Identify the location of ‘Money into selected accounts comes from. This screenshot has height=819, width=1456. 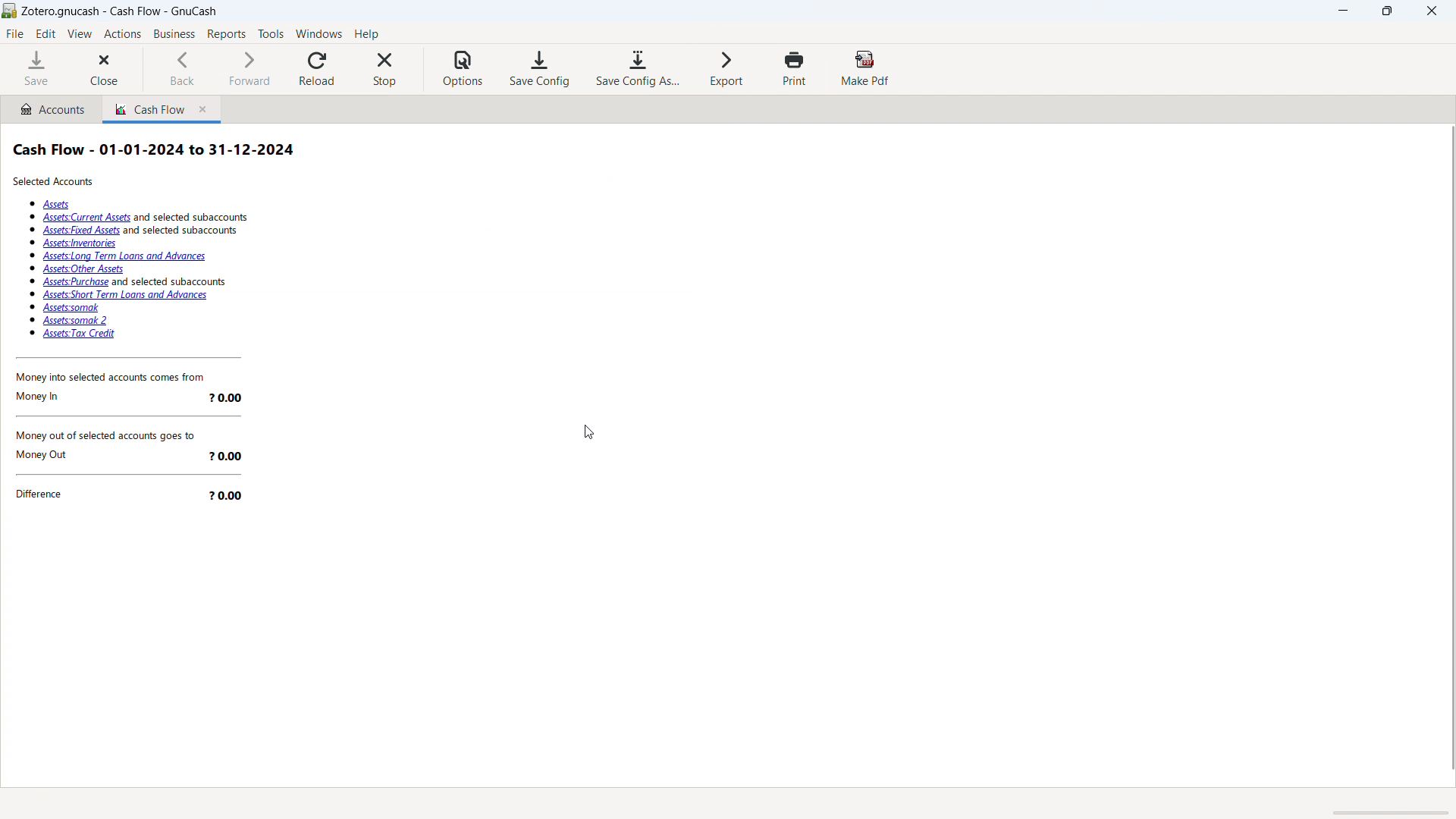
(120, 379).